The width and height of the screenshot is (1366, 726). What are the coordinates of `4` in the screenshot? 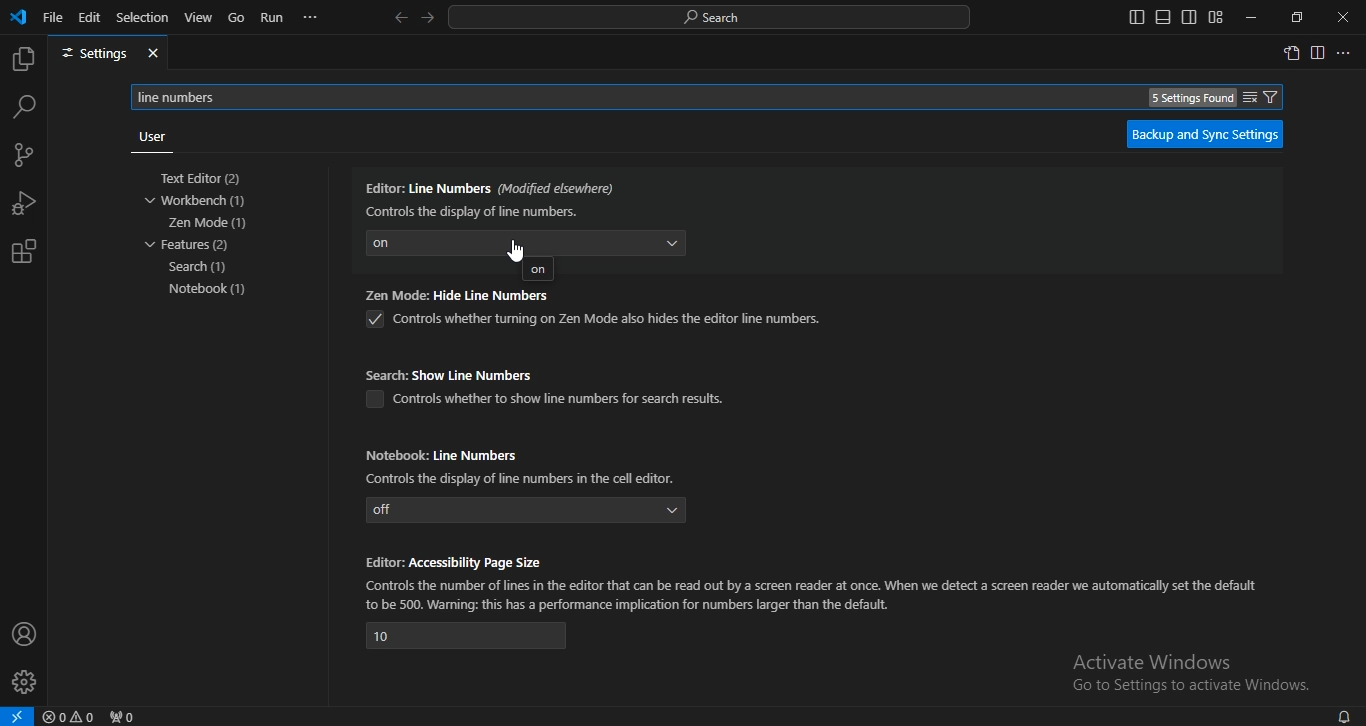 It's located at (467, 636).